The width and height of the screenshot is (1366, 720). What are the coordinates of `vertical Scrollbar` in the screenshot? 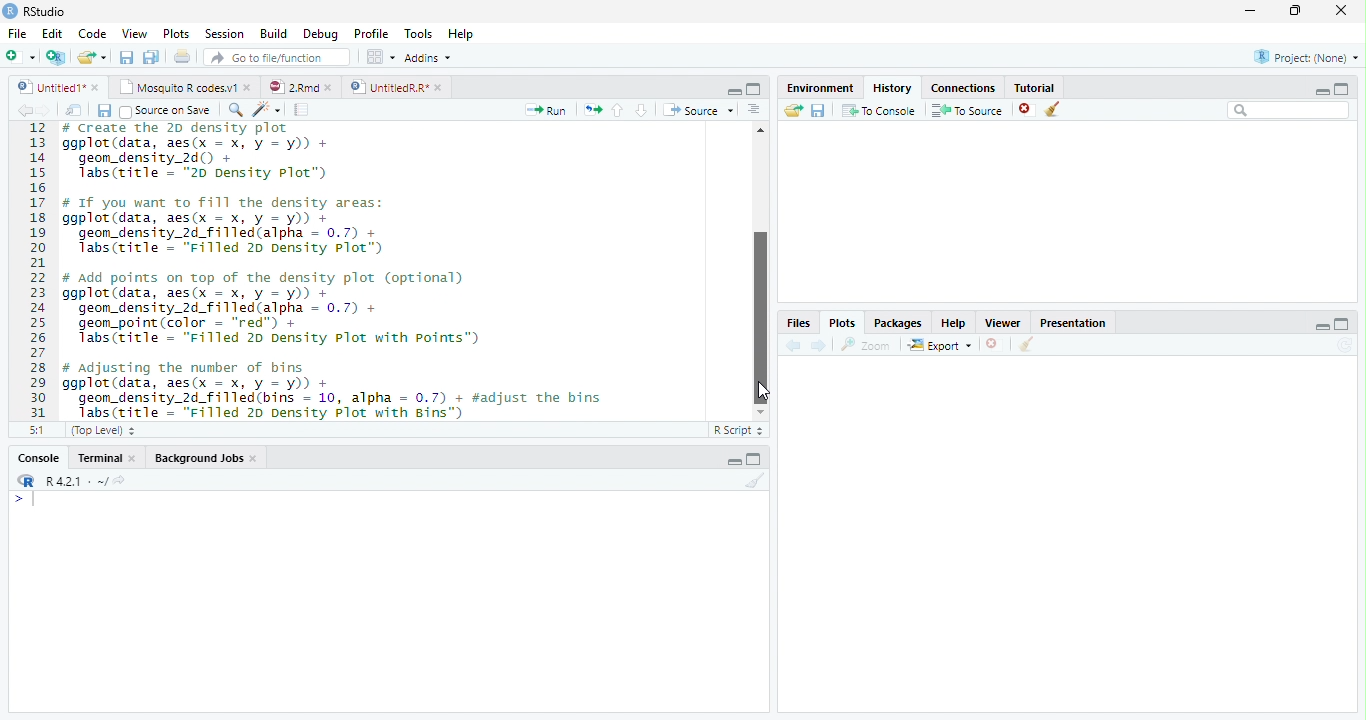 It's located at (761, 317).